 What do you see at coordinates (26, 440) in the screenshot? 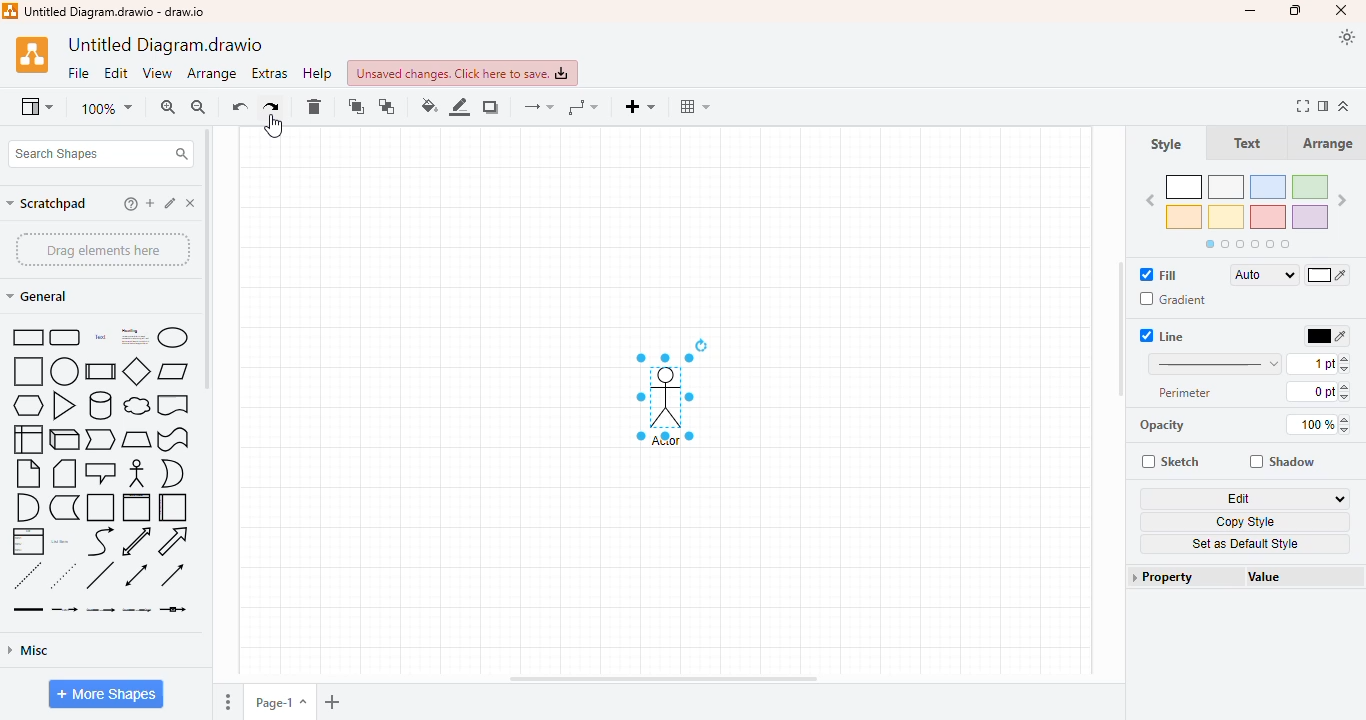
I see `internal storage` at bounding box center [26, 440].